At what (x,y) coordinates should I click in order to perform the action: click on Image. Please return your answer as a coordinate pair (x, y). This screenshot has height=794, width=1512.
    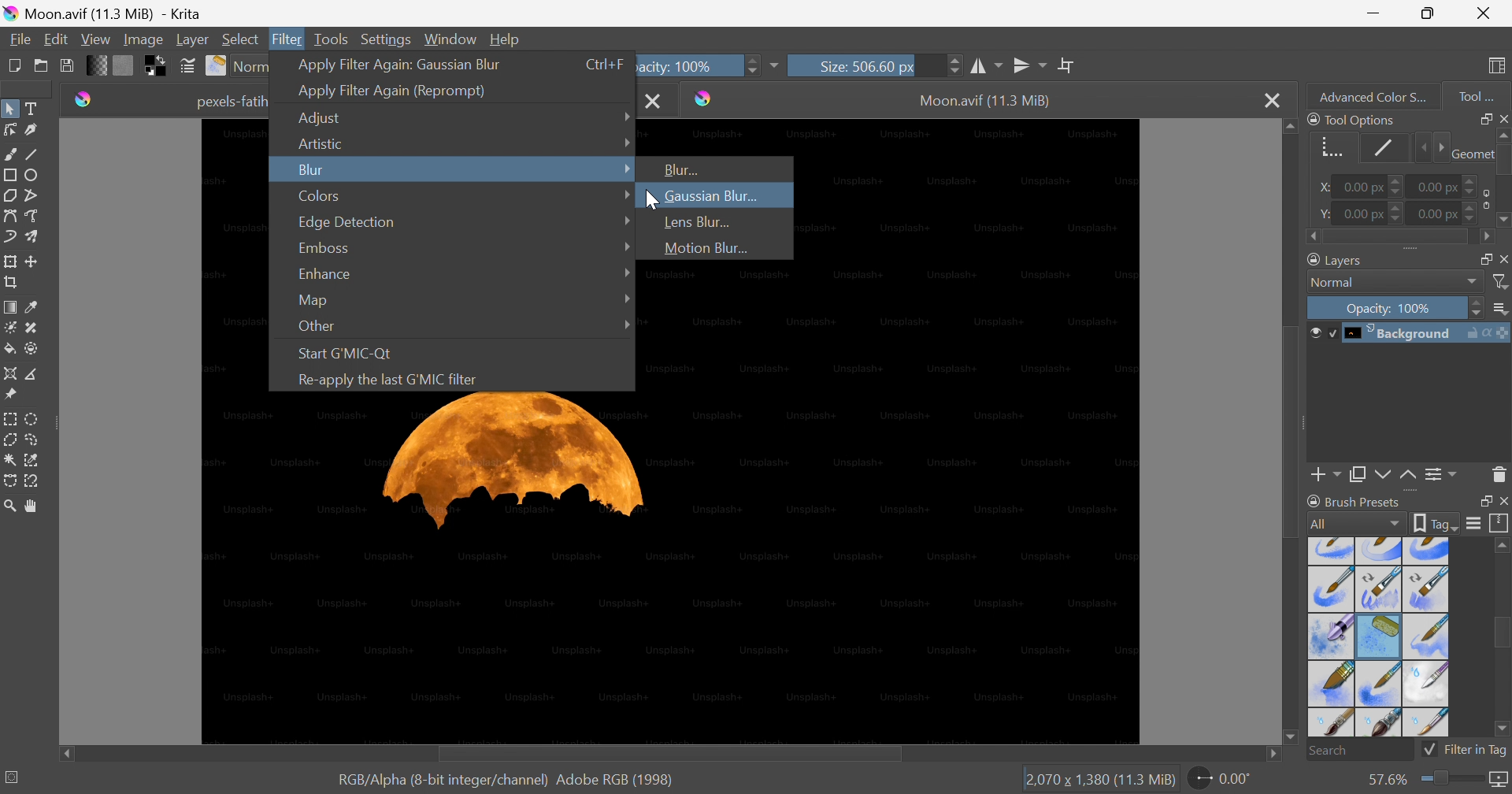
    Looking at the image, I should click on (142, 40).